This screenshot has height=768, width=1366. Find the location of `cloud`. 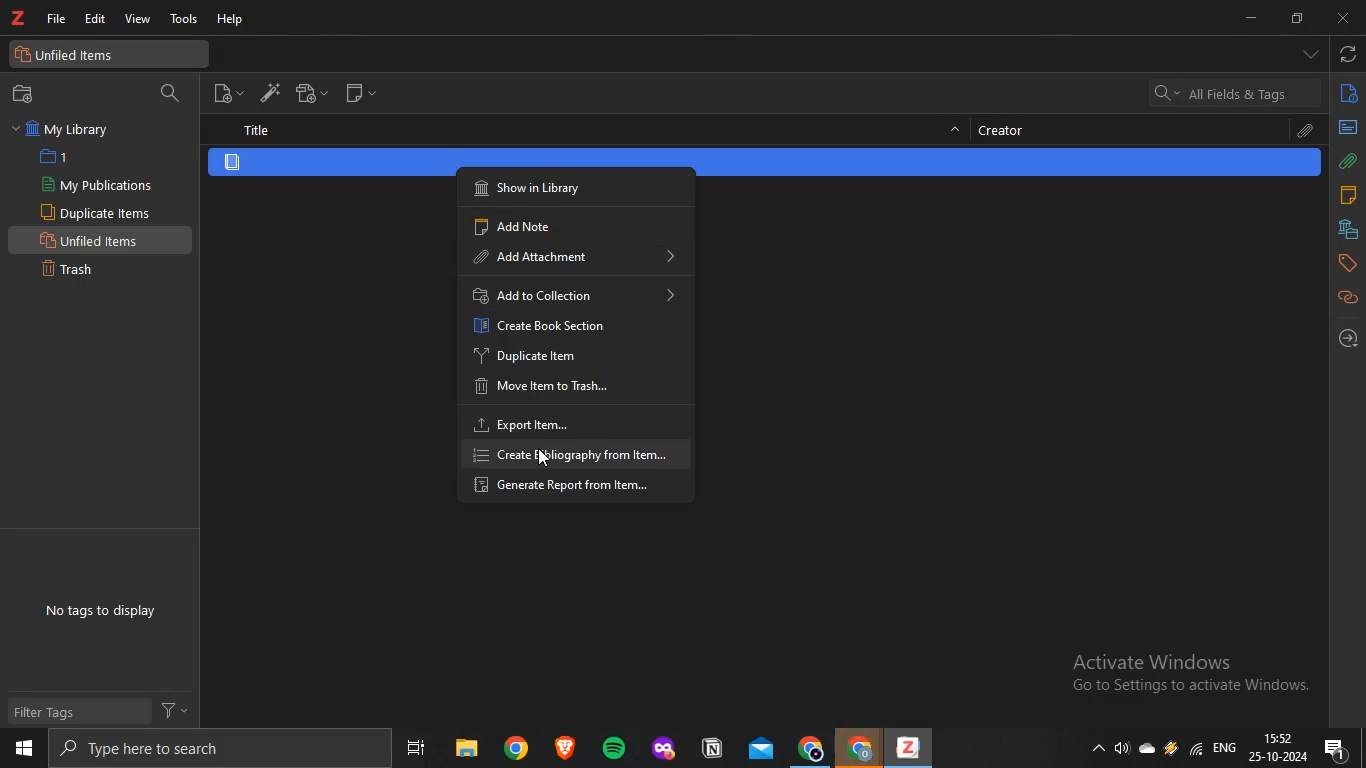

cloud is located at coordinates (1150, 746).